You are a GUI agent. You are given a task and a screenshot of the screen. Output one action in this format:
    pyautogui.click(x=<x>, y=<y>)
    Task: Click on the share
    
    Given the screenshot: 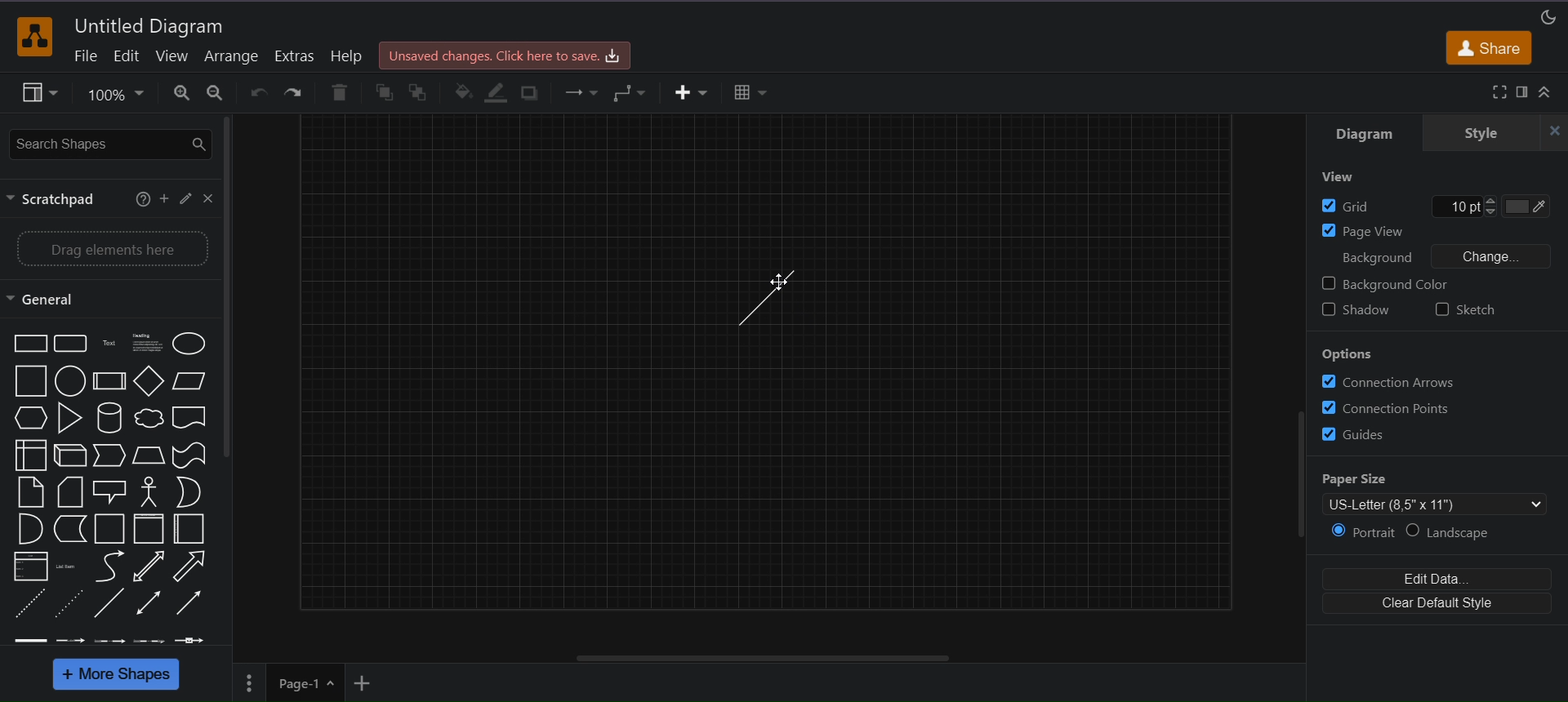 What is the action you would take?
    pyautogui.click(x=1491, y=50)
    